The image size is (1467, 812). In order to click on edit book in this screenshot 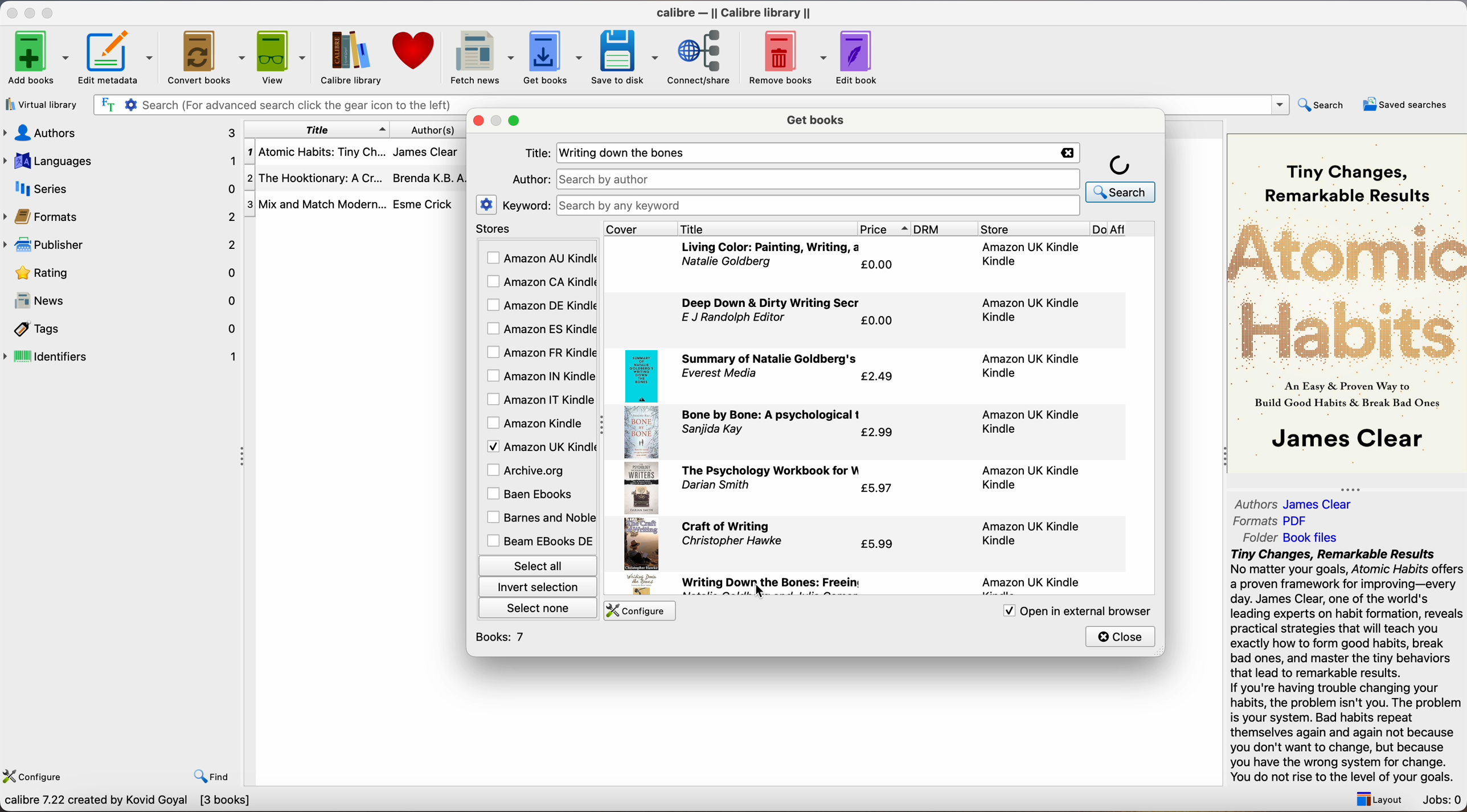, I will do `click(859, 58)`.